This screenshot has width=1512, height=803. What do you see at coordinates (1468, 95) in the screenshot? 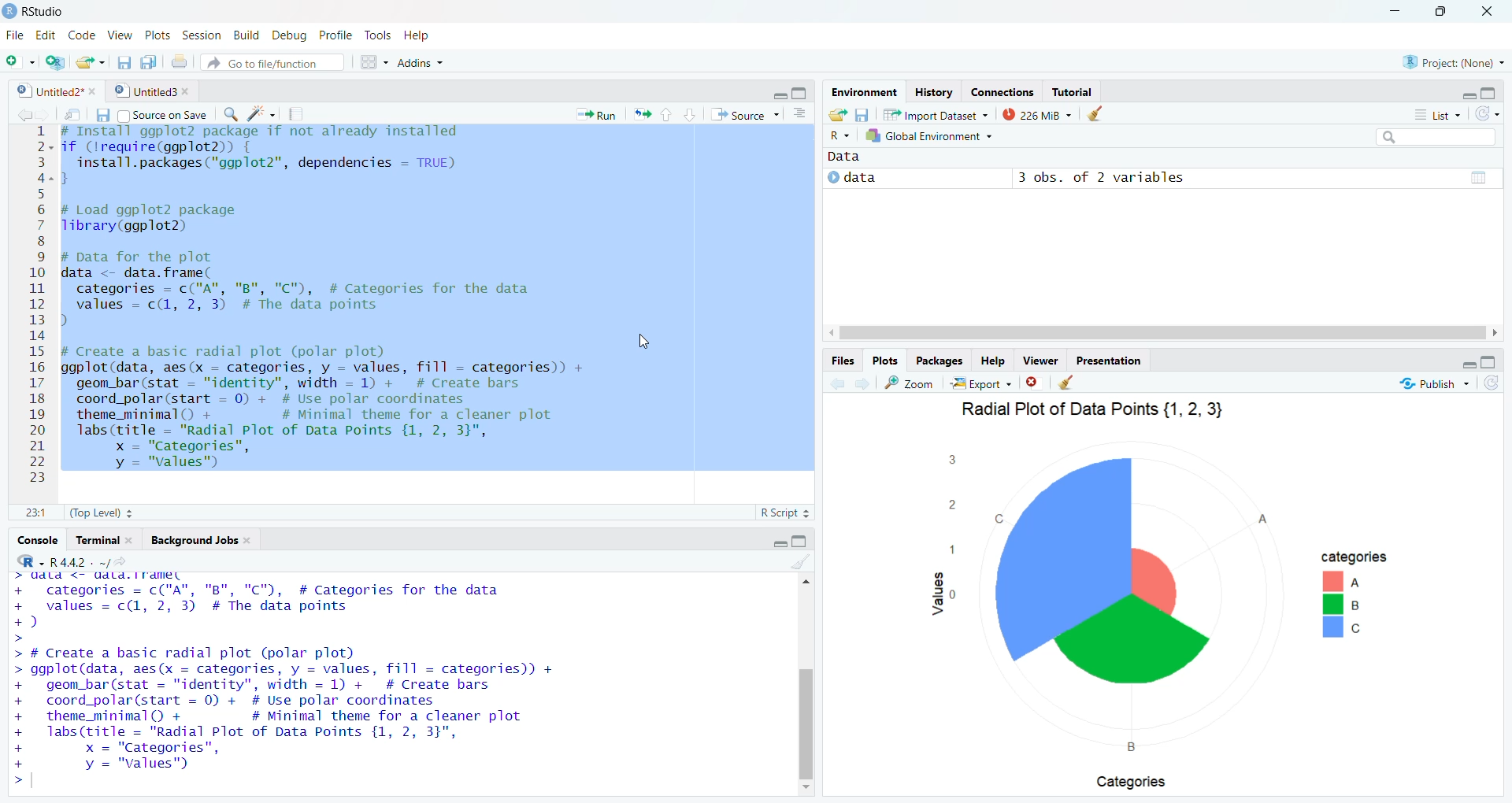
I see `Minimize` at bounding box center [1468, 95].